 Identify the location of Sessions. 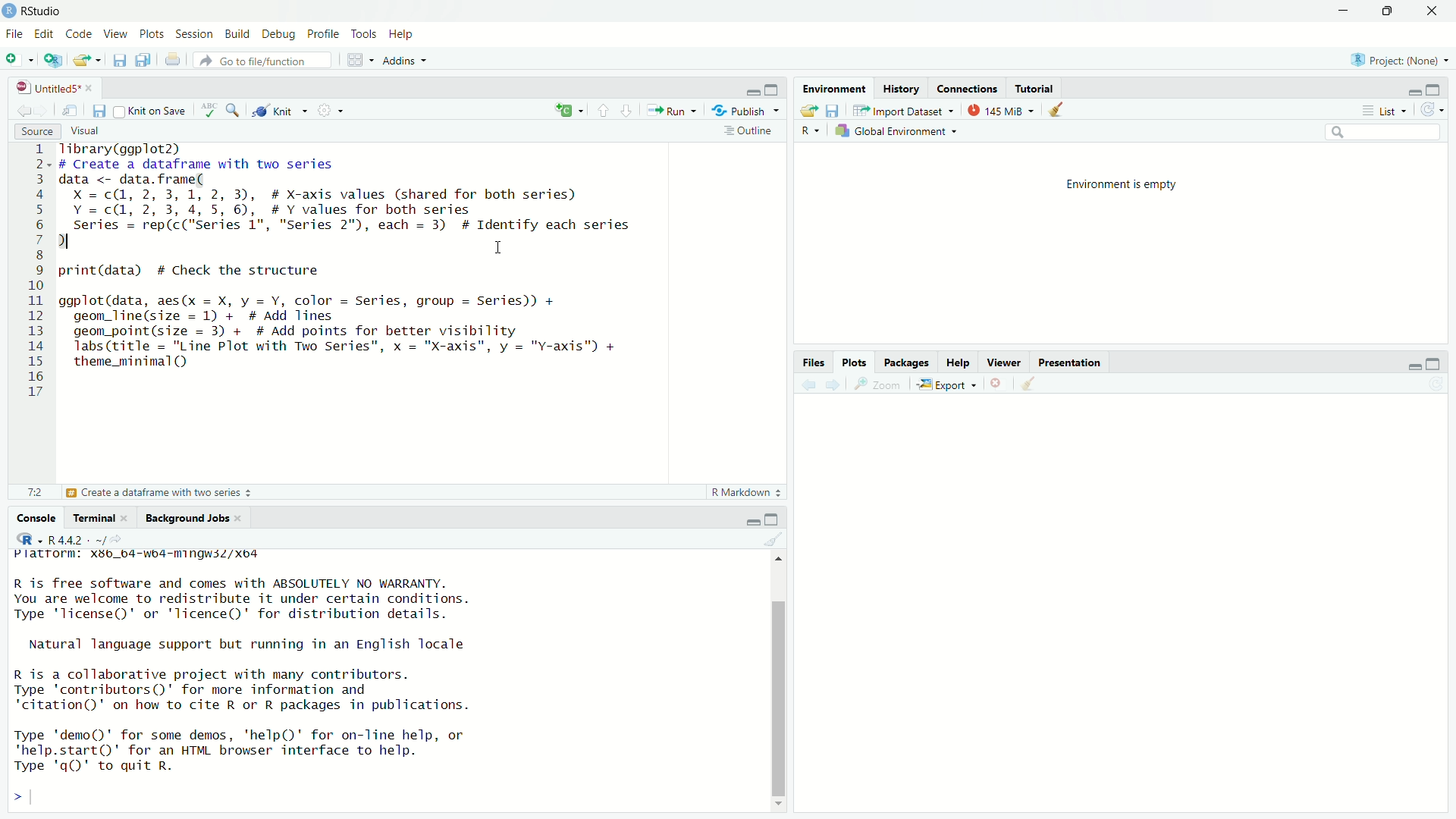
(194, 36).